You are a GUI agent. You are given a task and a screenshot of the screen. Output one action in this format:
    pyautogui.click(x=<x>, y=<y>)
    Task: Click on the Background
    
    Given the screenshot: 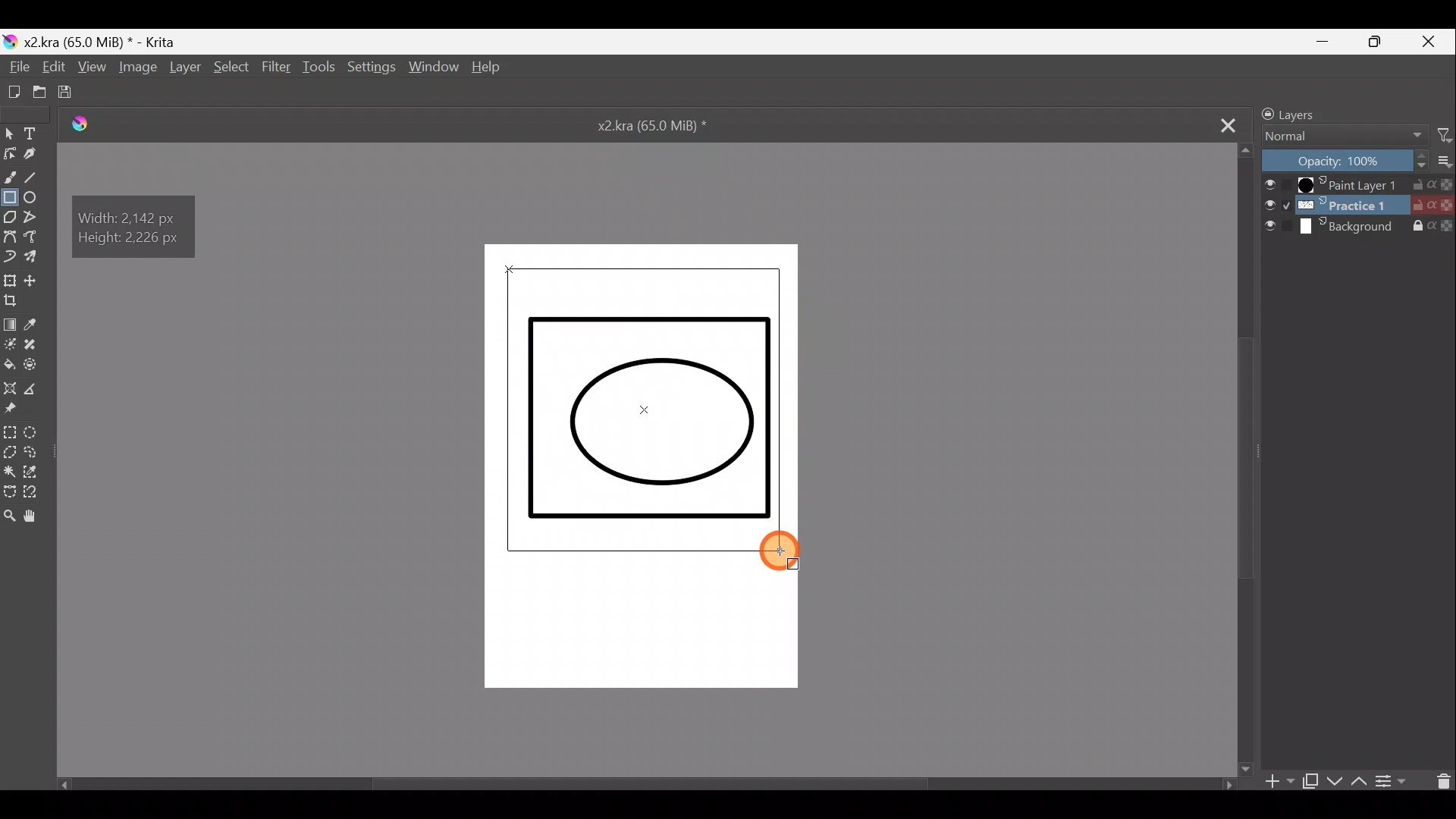 What is the action you would take?
    pyautogui.click(x=1360, y=227)
    